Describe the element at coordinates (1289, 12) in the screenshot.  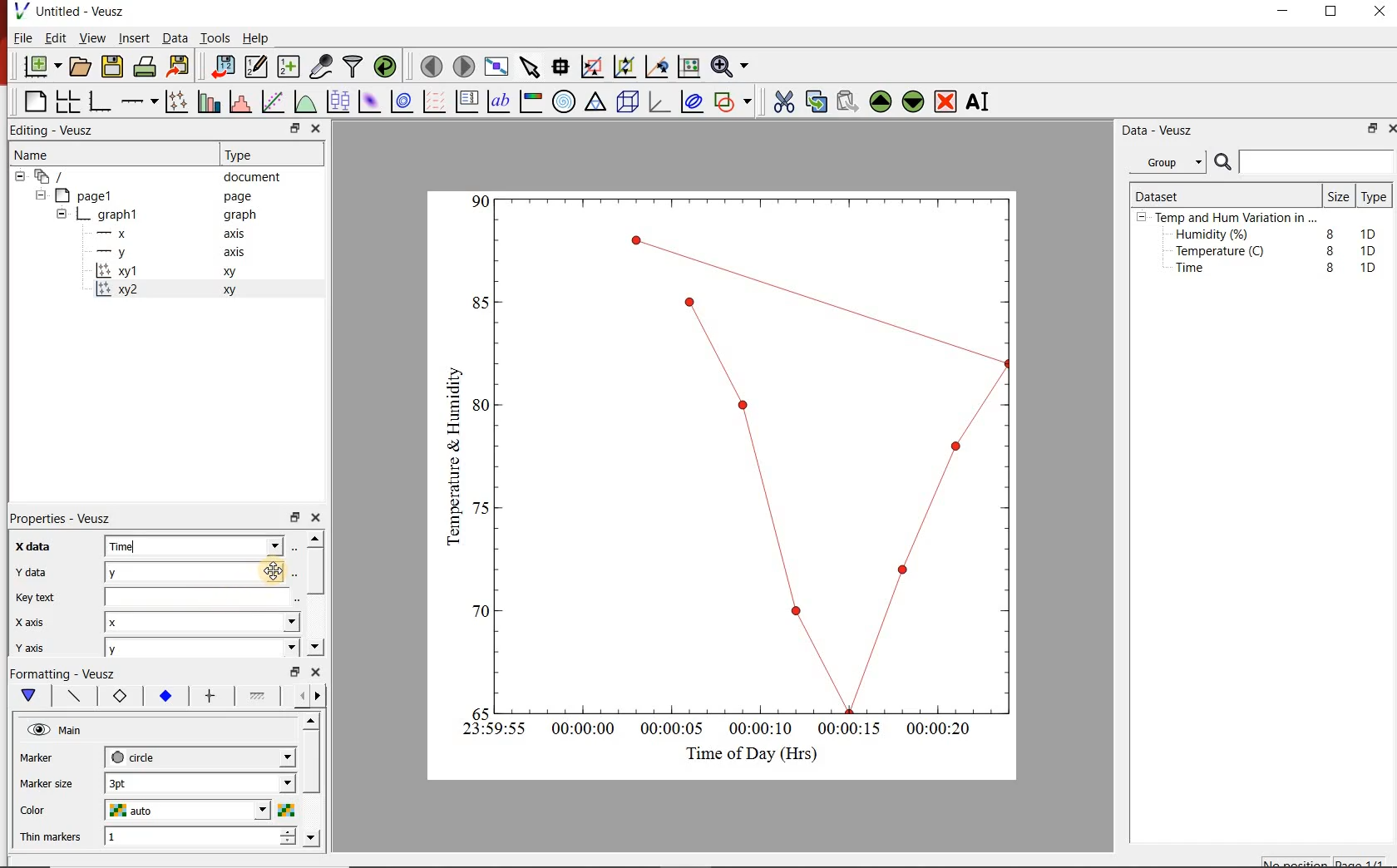
I see `minimize` at that location.